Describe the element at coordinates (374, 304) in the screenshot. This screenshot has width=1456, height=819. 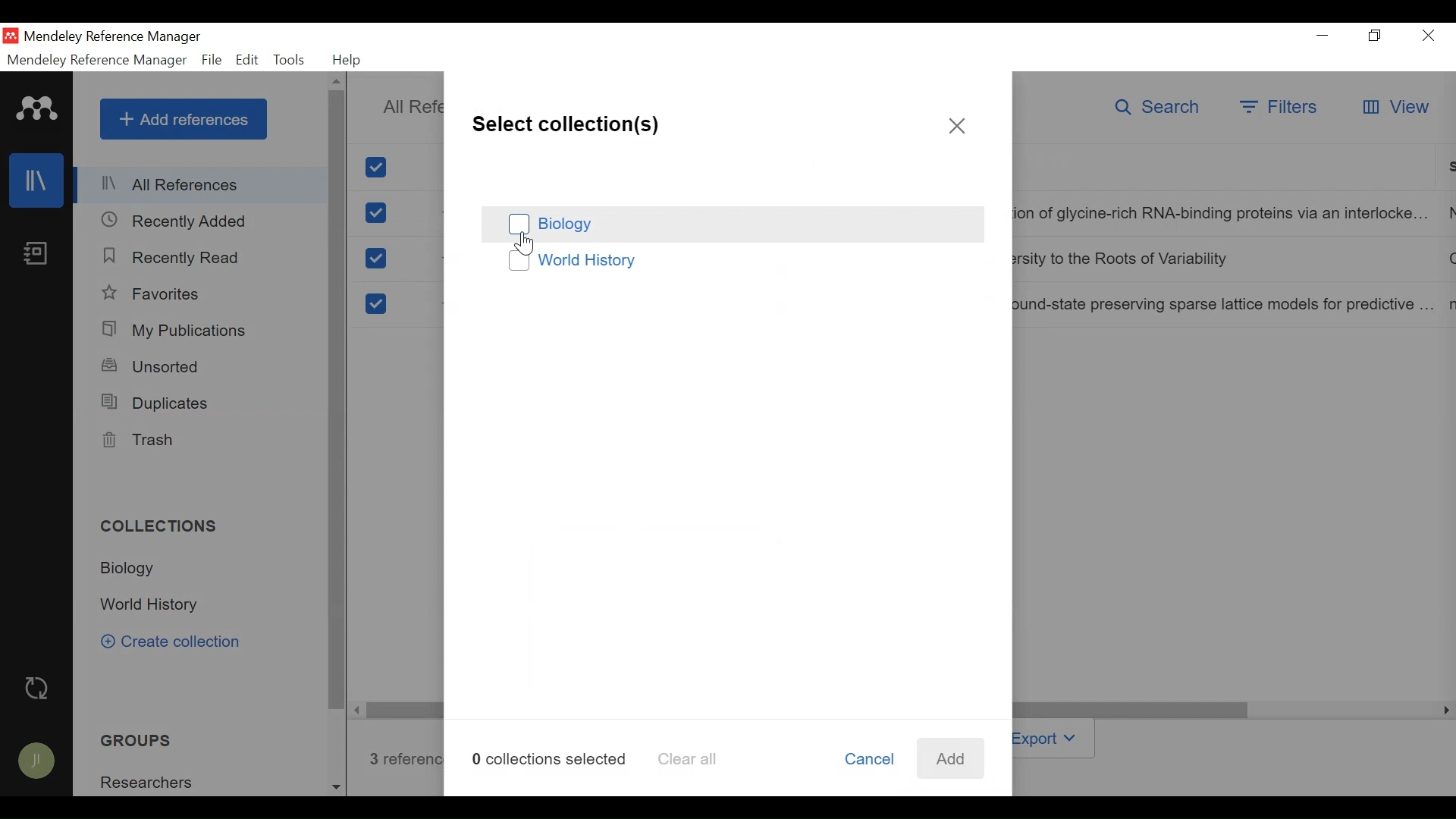
I see `(un)select` at that location.